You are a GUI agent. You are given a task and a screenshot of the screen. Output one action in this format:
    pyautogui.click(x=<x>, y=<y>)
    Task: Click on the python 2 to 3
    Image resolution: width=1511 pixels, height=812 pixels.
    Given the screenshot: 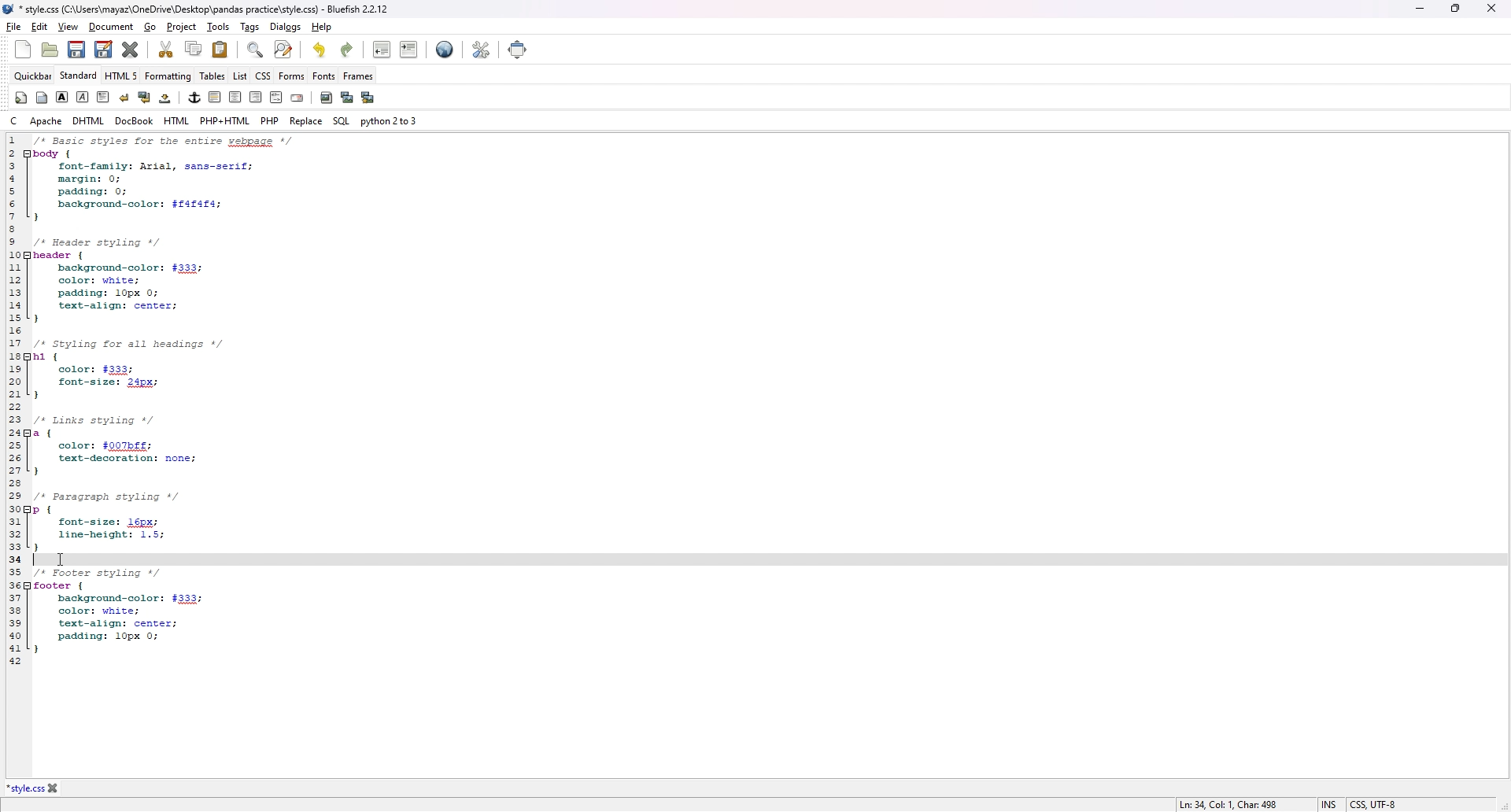 What is the action you would take?
    pyautogui.click(x=389, y=120)
    